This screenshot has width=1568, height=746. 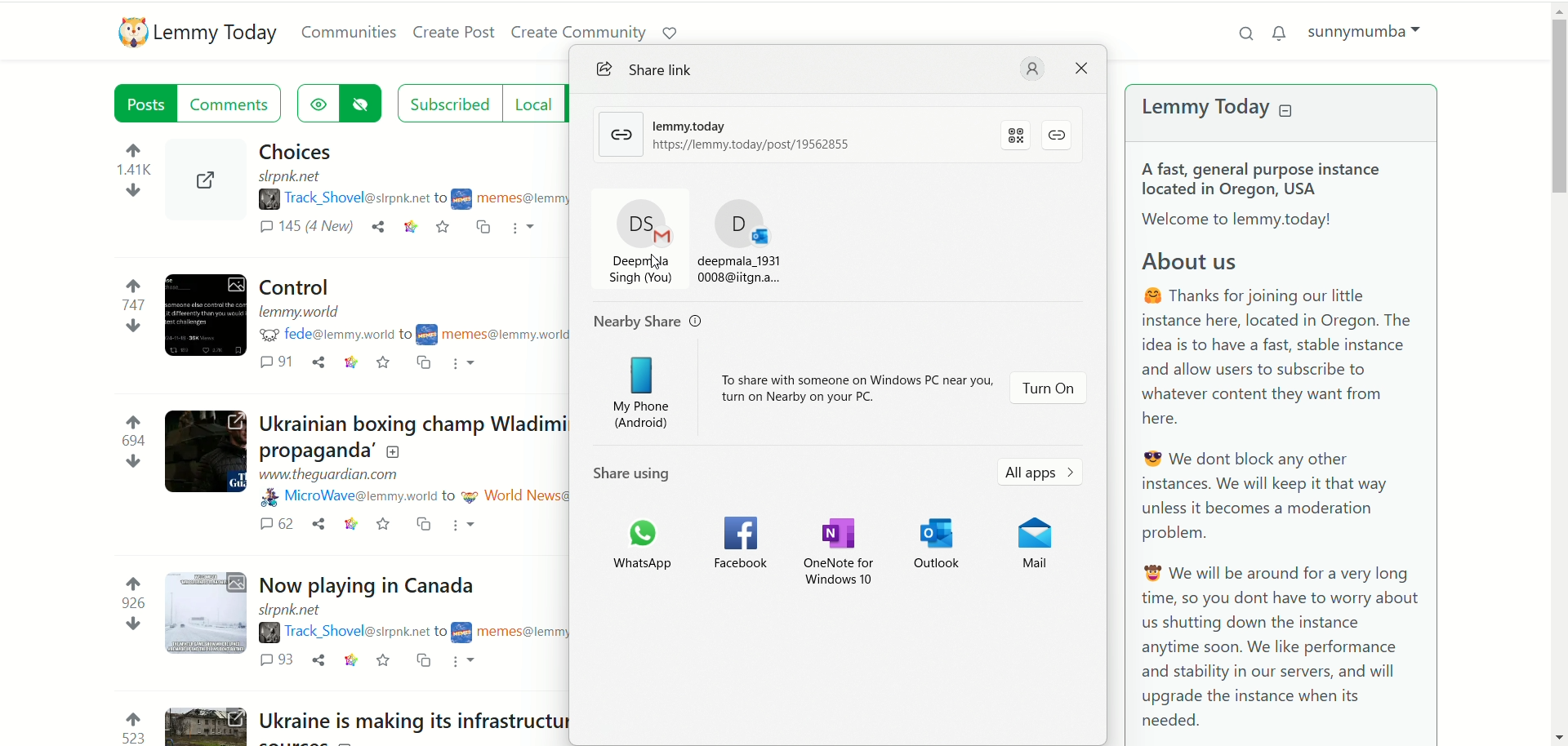 What do you see at coordinates (510, 628) in the screenshot?
I see `community` at bounding box center [510, 628].